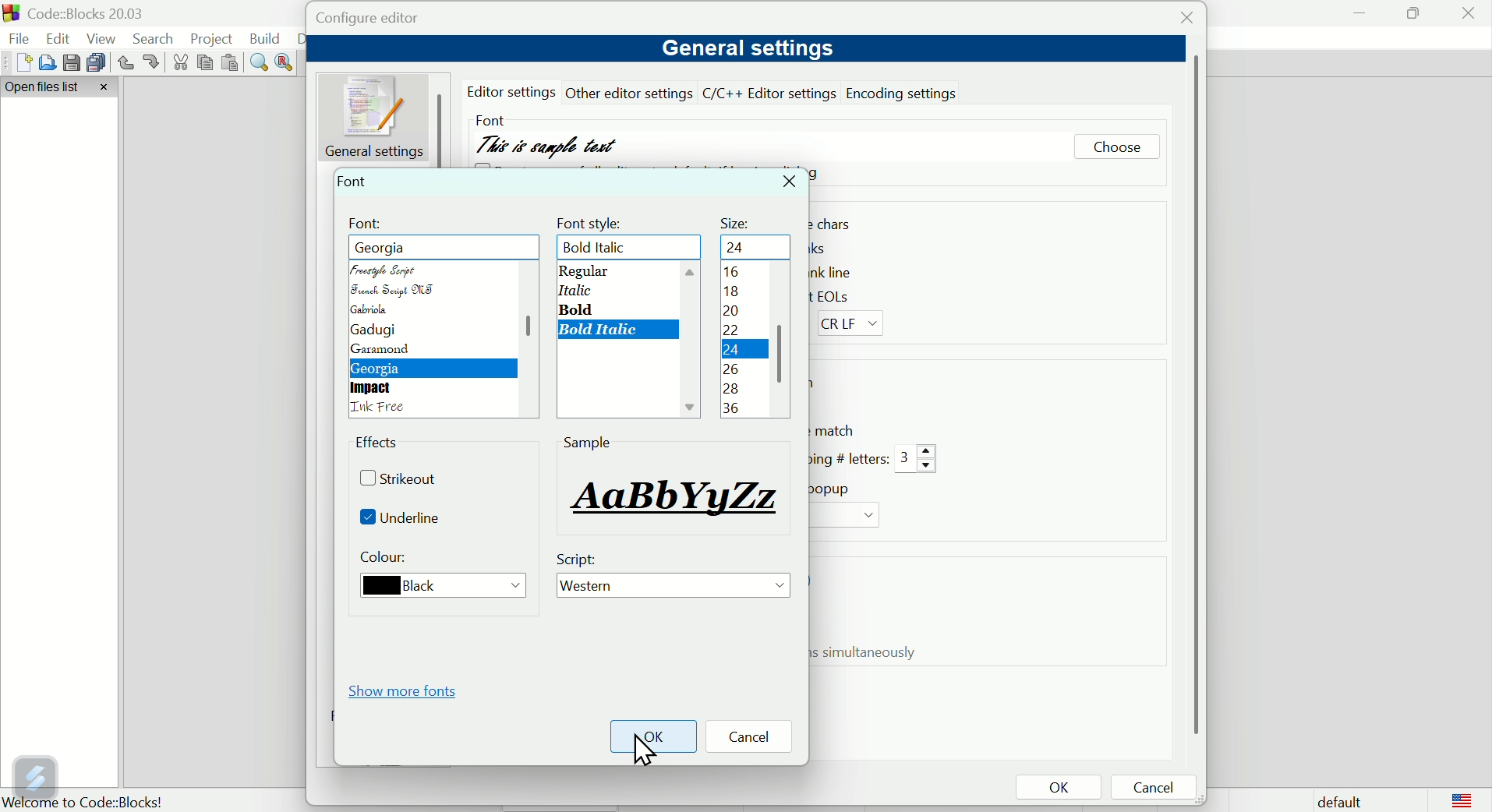  What do you see at coordinates (524, 334) in the screenshot?
I see `scroll bar` at bounding box center [524, 334].